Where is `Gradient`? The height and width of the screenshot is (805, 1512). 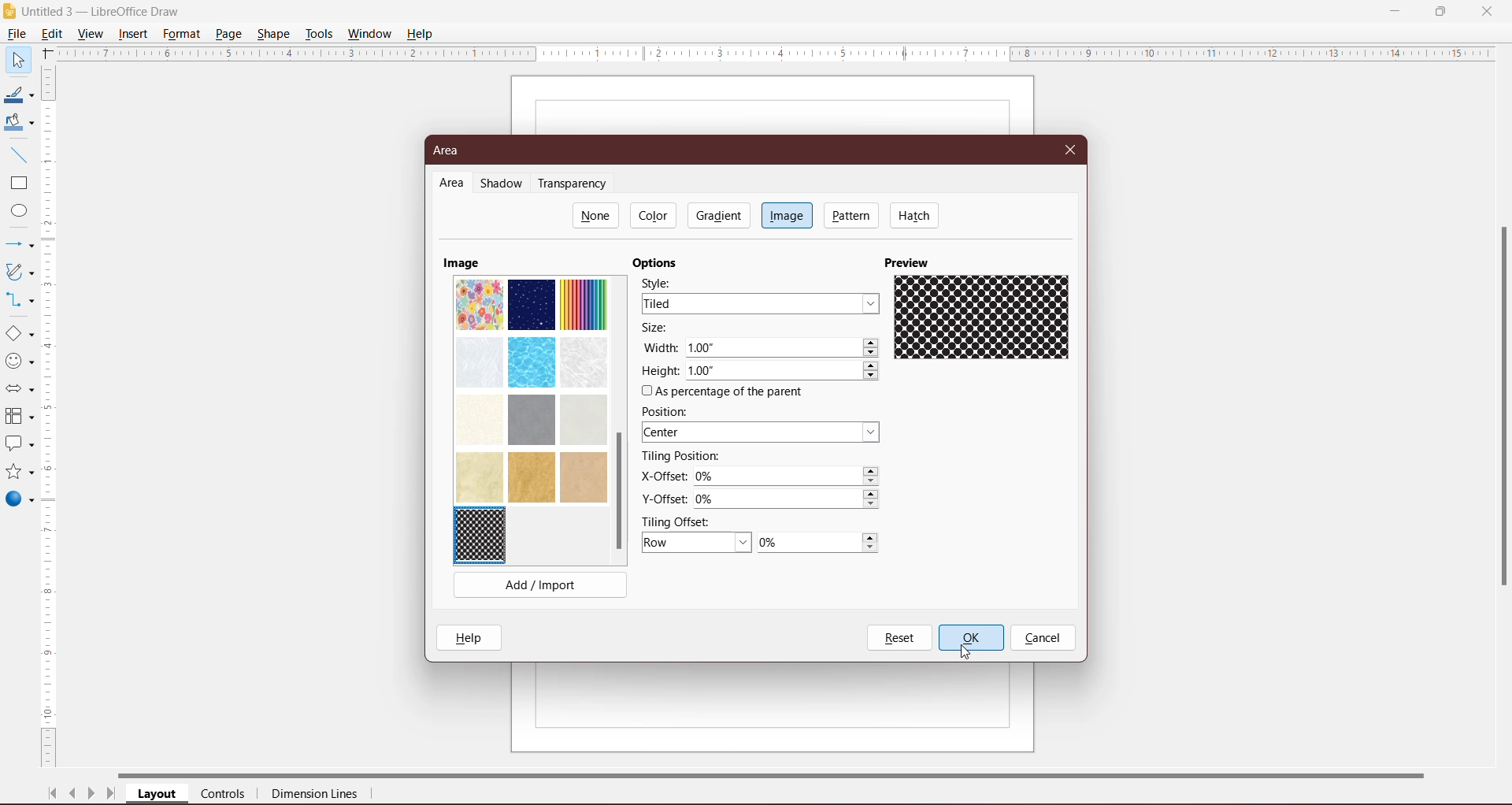
Gradient is located at coordinates (717, 215).